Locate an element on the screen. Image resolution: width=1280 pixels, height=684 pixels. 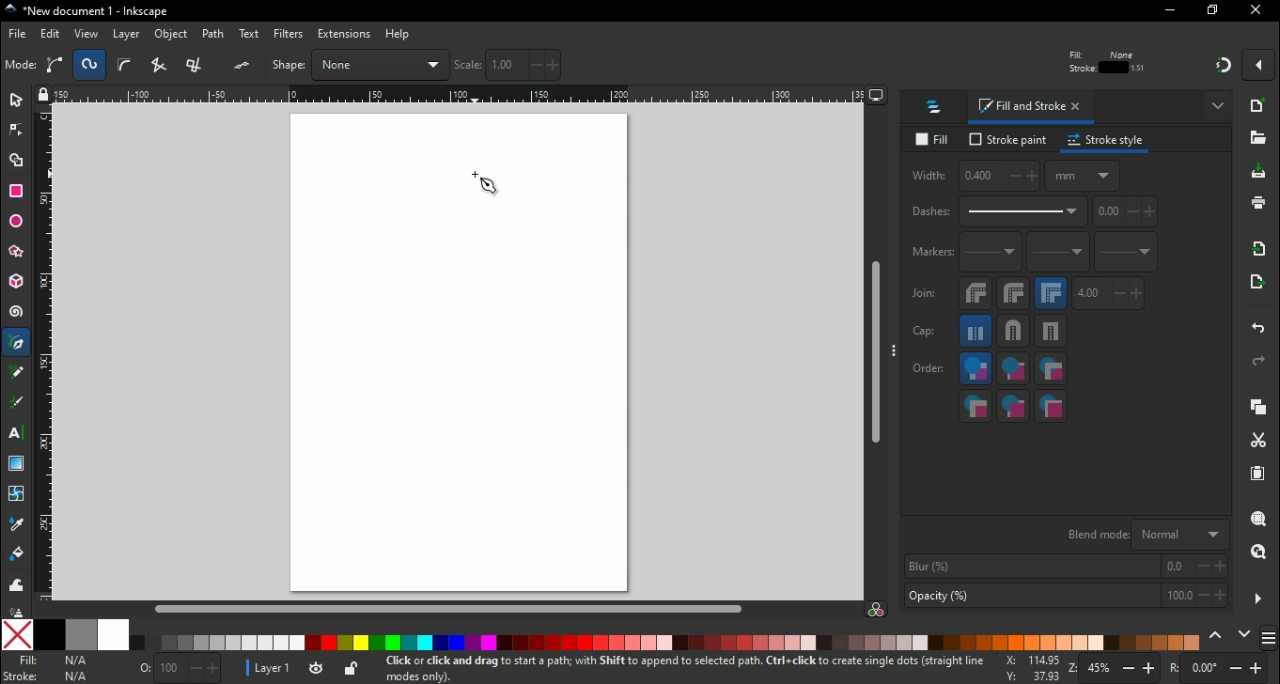
create regular bezier path is located at coordinates (56, 65).